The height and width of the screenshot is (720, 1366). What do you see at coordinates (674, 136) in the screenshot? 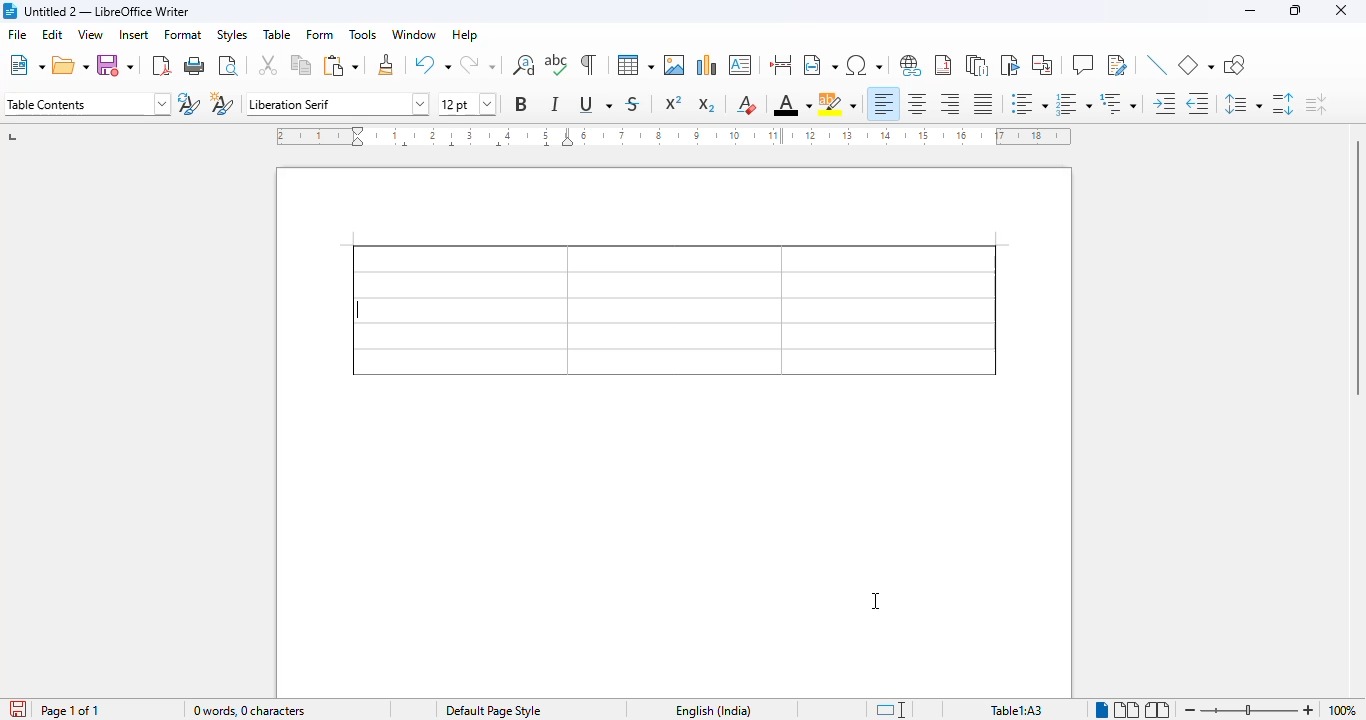
I see `ruler` at bounding box center [674, 136].